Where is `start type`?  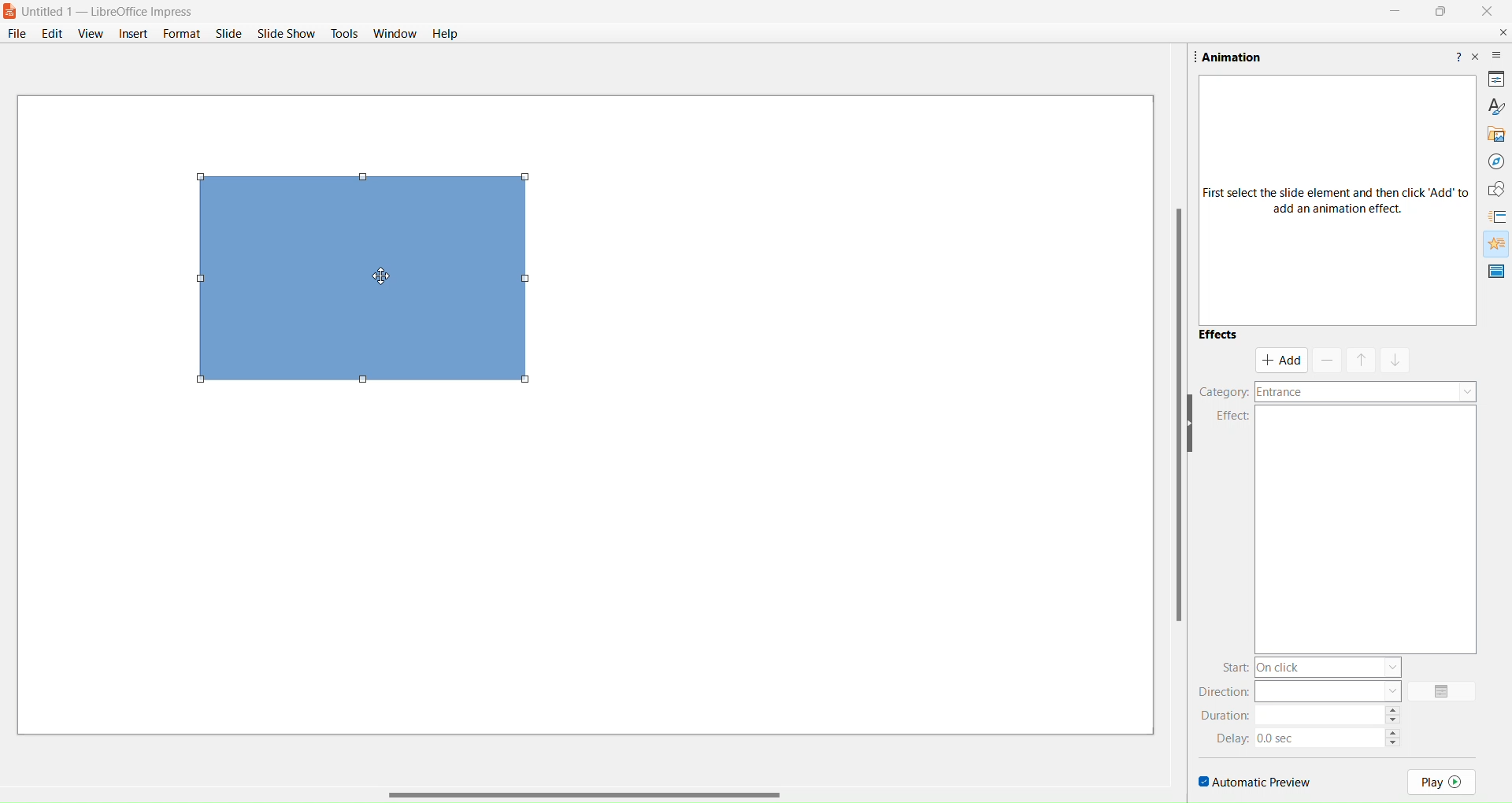 start type is located at coordinates (1332, 667).